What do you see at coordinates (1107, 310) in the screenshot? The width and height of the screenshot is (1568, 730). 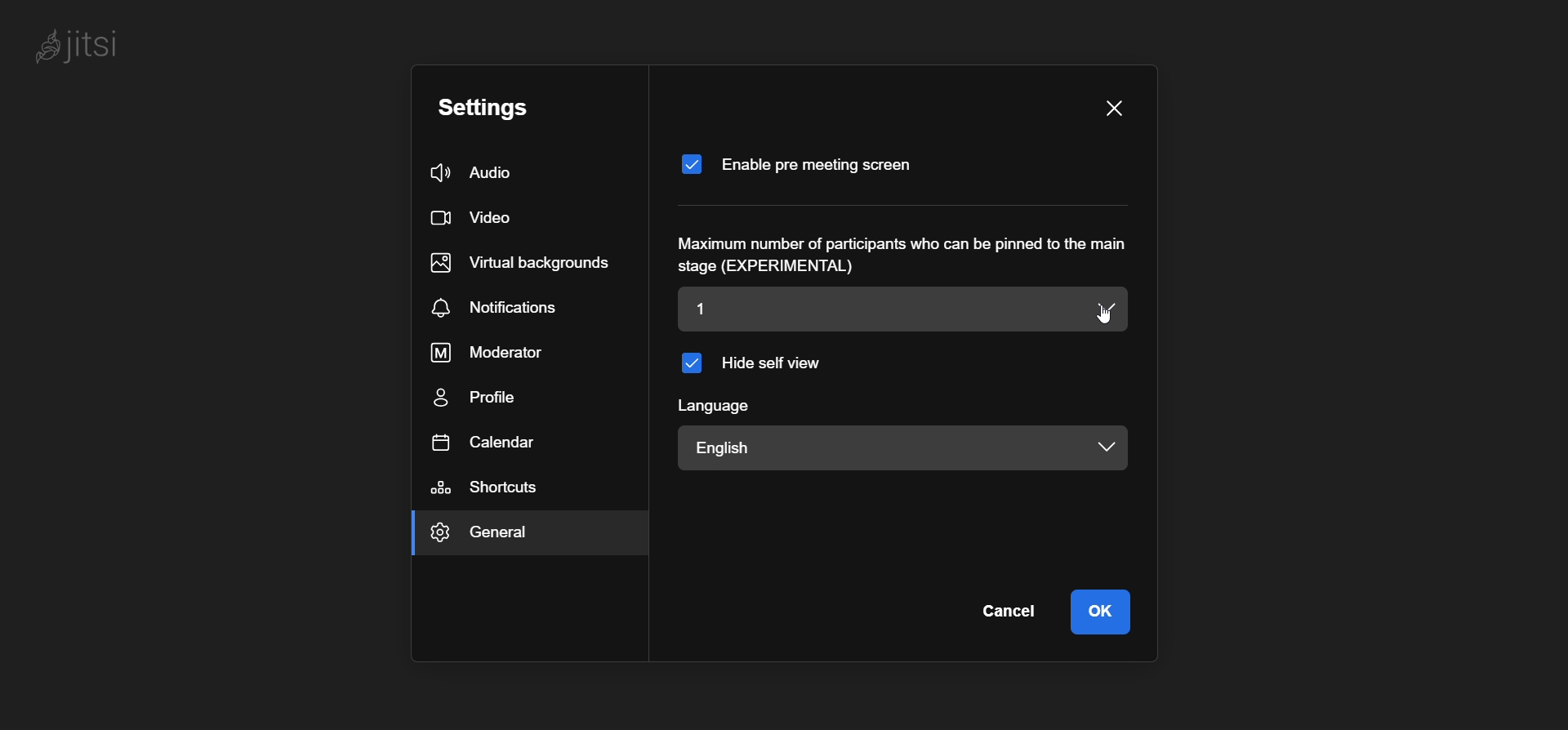 I see `number of participants dropdown` at bounding box center [1107, 310].